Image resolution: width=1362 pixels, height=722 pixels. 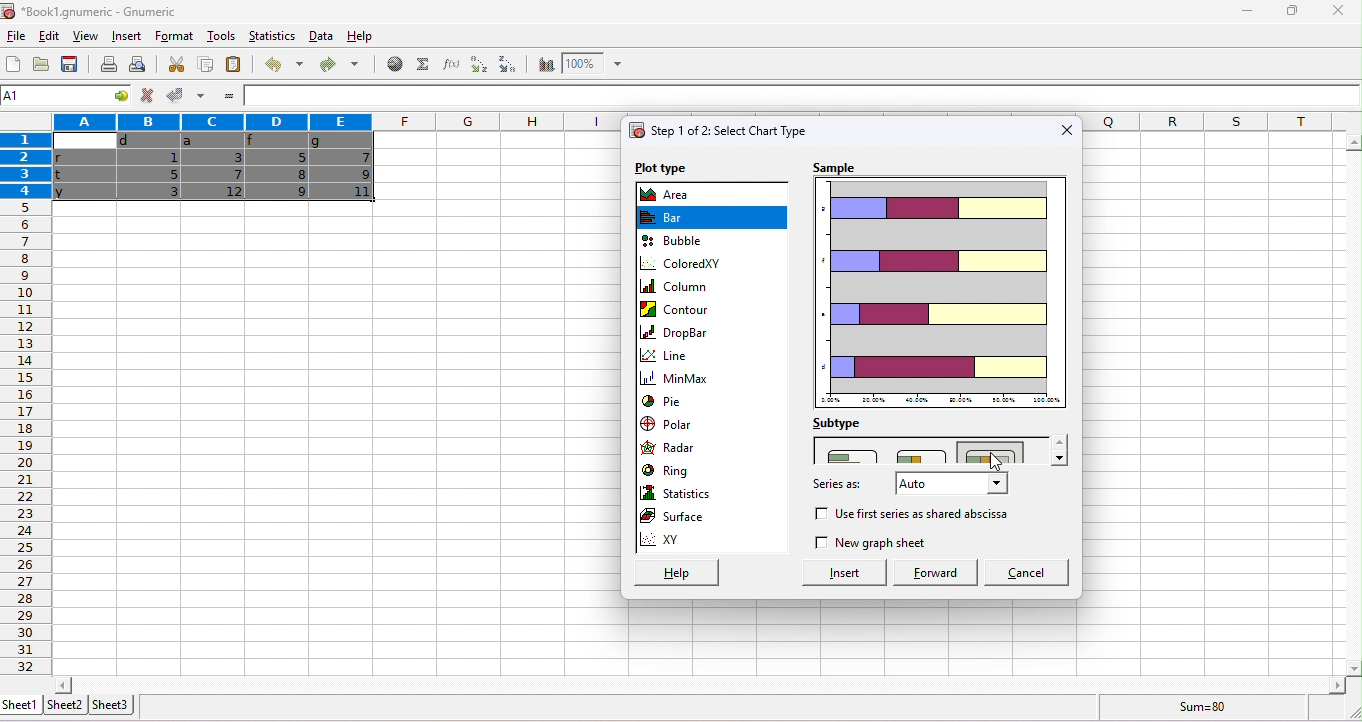 I want to click on select function, so click(x=421, y=64).